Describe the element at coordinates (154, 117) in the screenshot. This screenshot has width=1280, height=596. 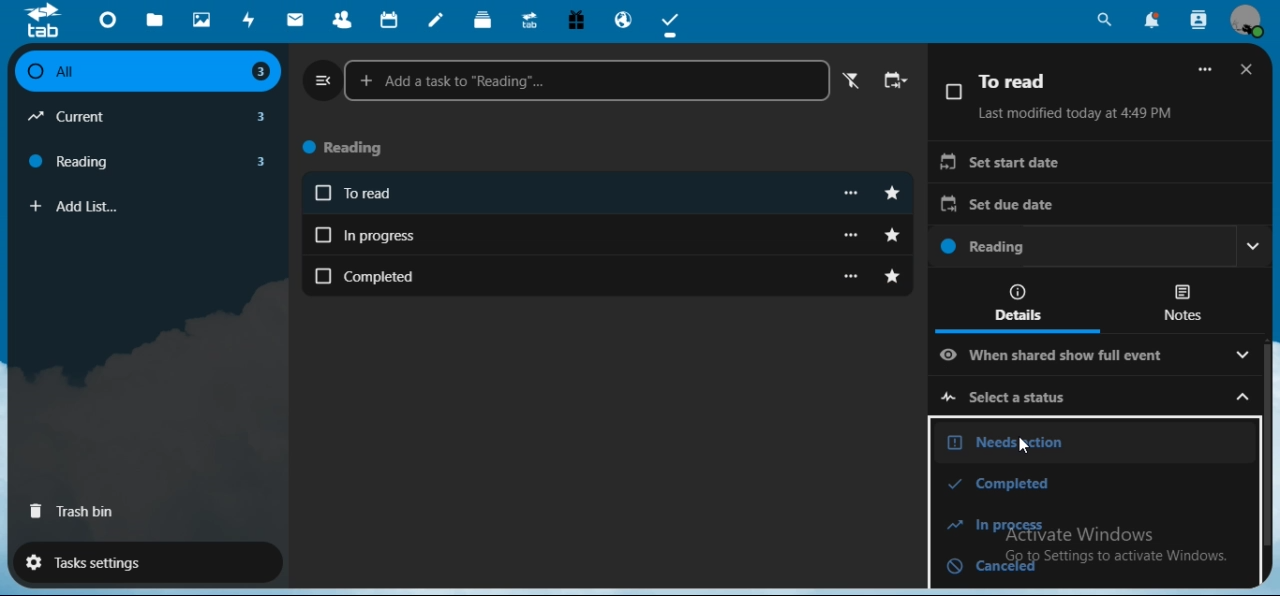
I see `current` at that location.